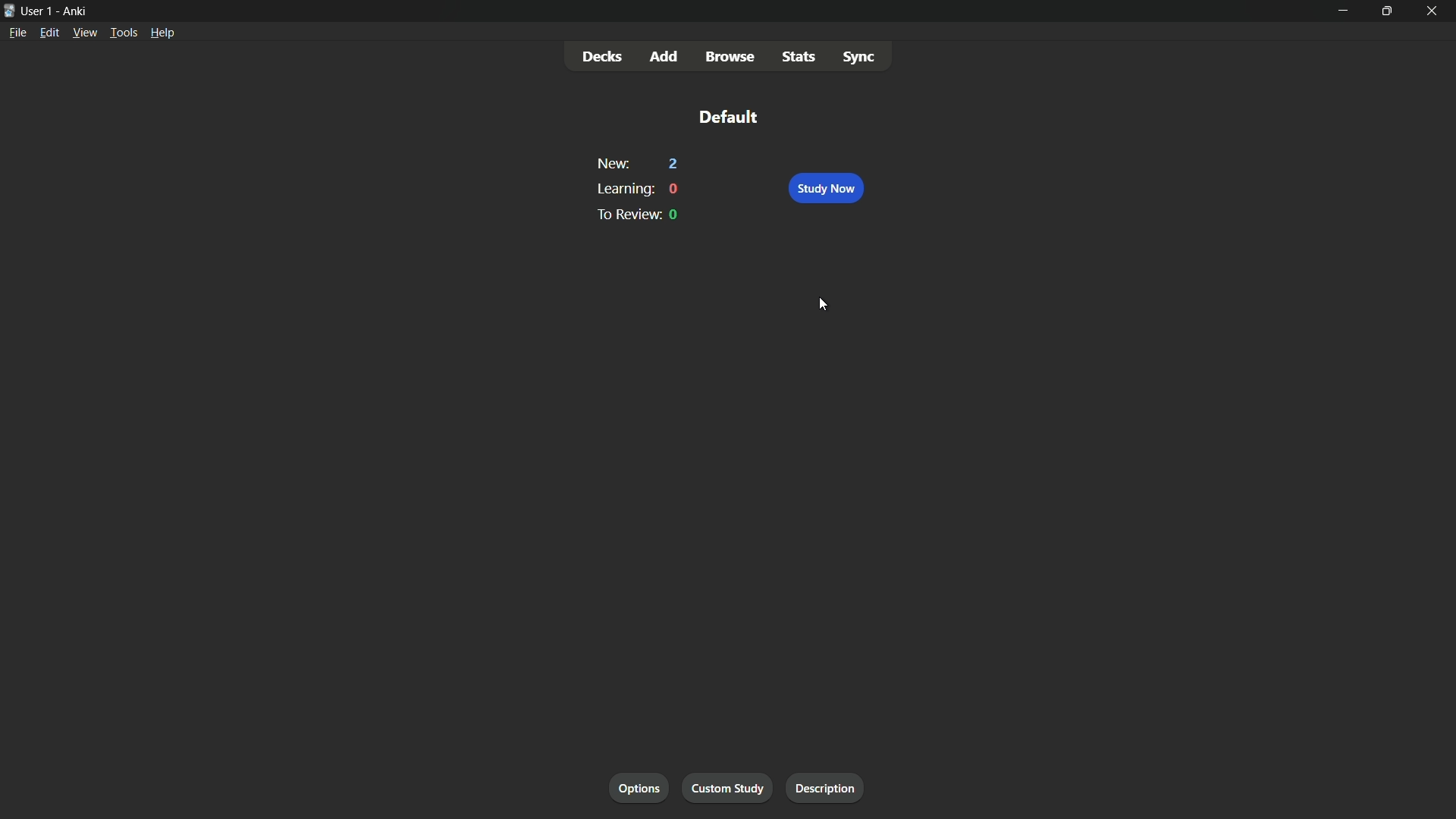 This screenshot has height=819, width=1456. Describe the element at coordinates (52, 32) in the screenshot. I see `edit menu` at that location.